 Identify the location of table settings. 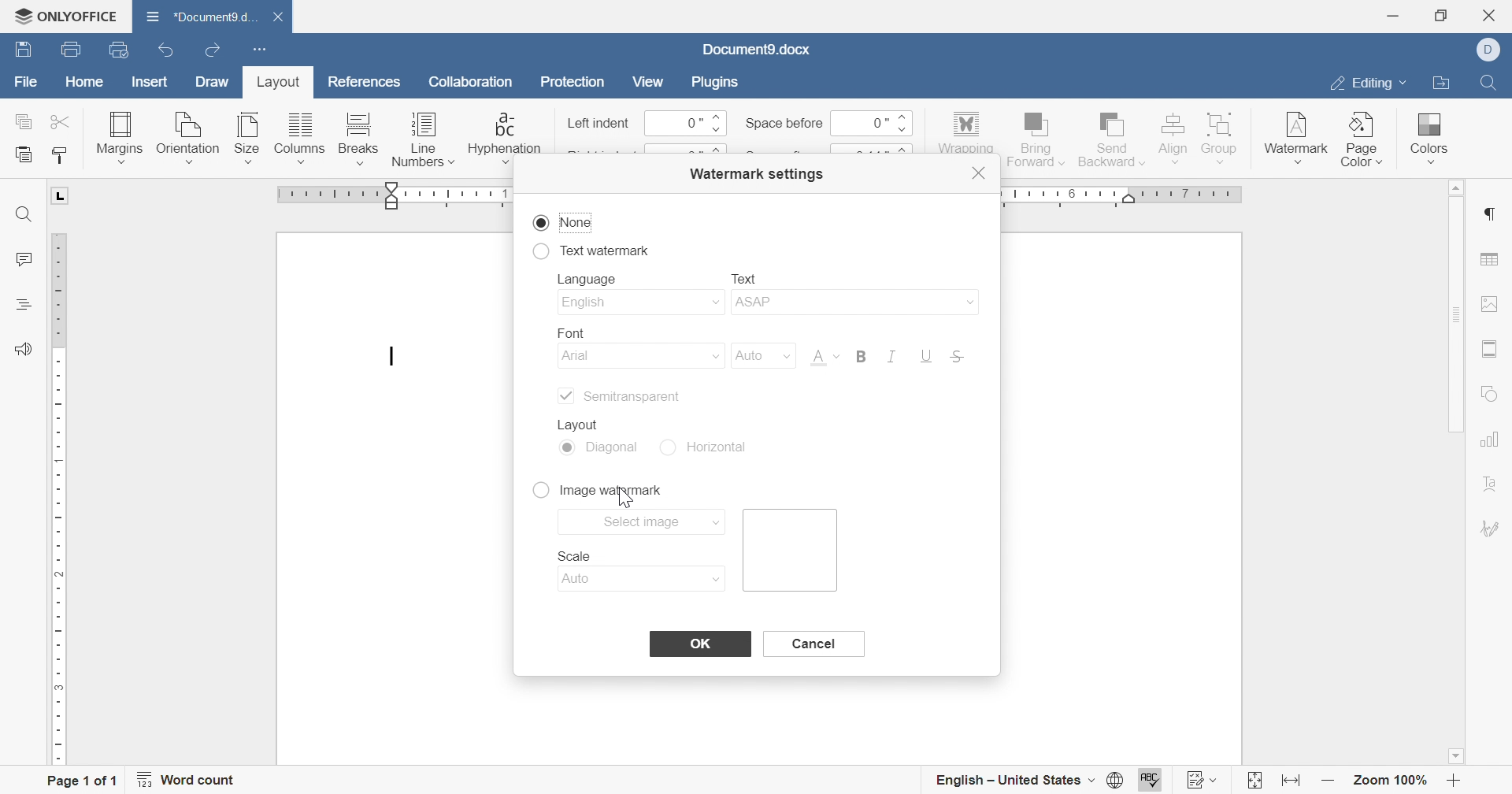
(1489, 261).